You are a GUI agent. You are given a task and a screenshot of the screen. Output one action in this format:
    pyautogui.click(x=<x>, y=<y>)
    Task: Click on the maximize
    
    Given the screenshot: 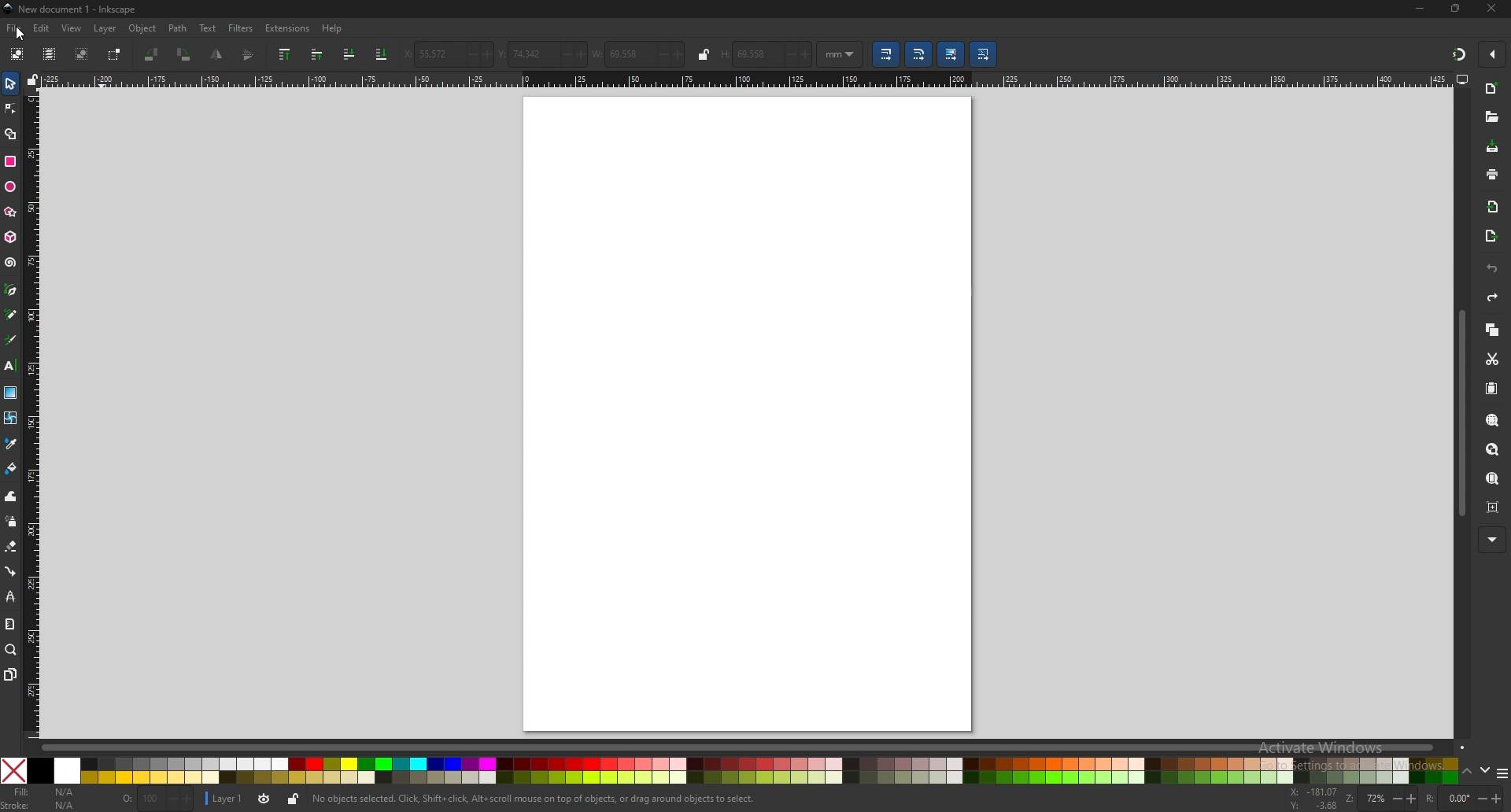 What is the action you would take?
    pyautogui.click(x=1456, y=9)
    